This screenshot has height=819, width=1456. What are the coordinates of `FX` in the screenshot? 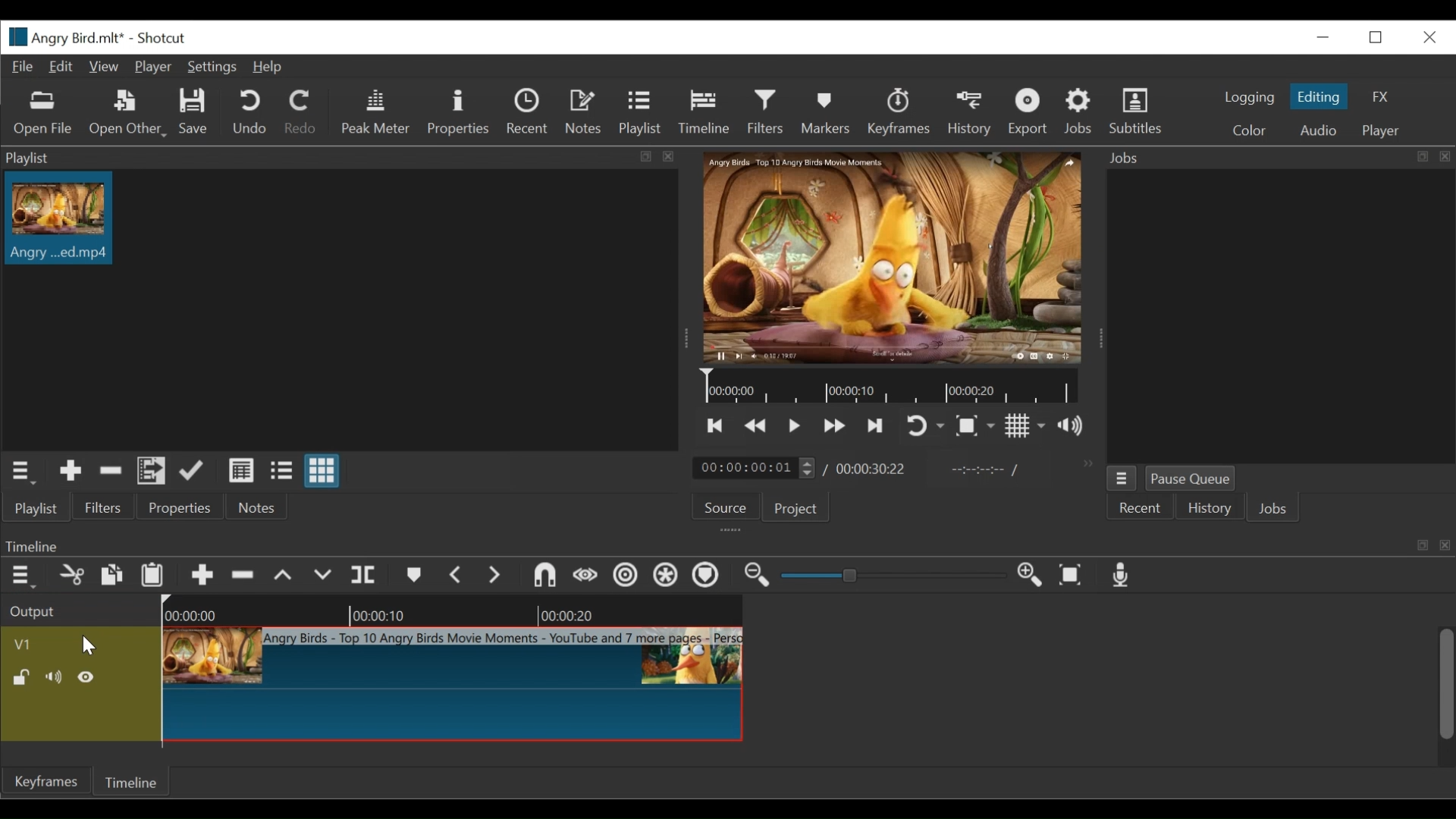 It's located at (1381, 97).